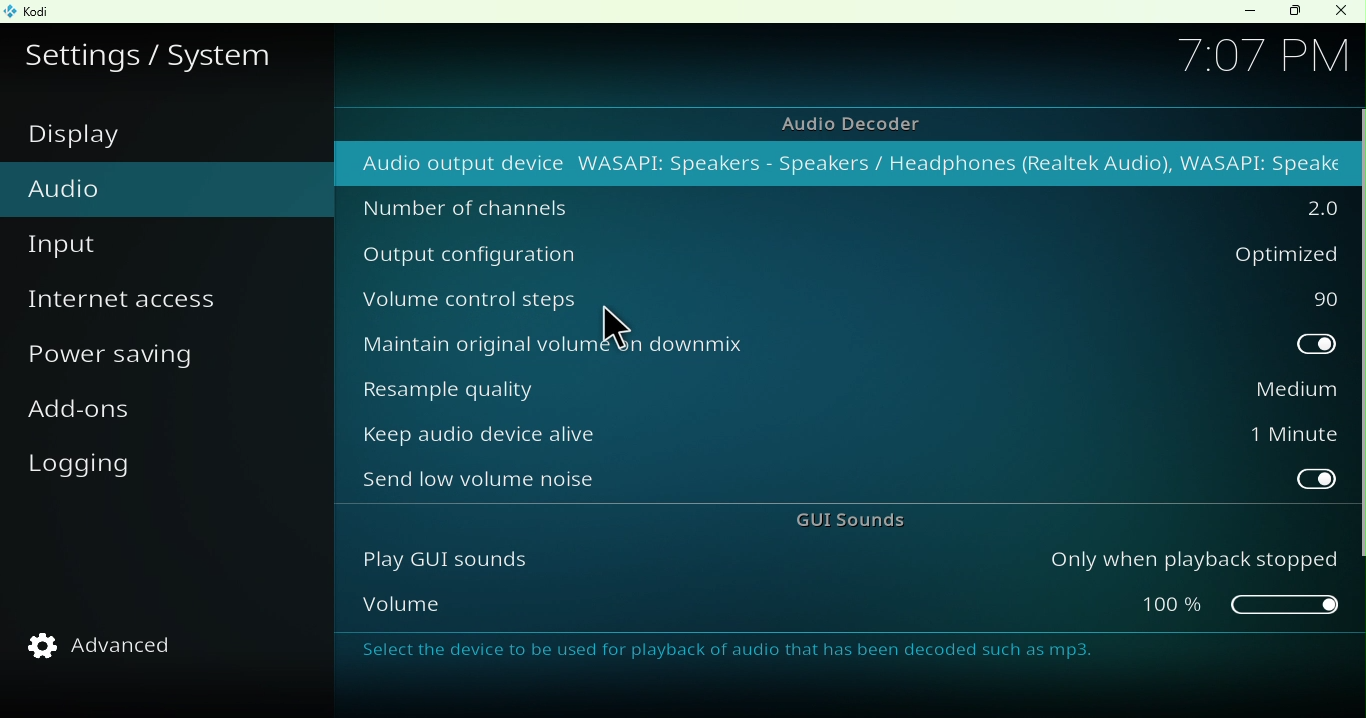  I want to click on Select the device to be used for playback of audio that has been decoded such as mp3., so click(768, 649).